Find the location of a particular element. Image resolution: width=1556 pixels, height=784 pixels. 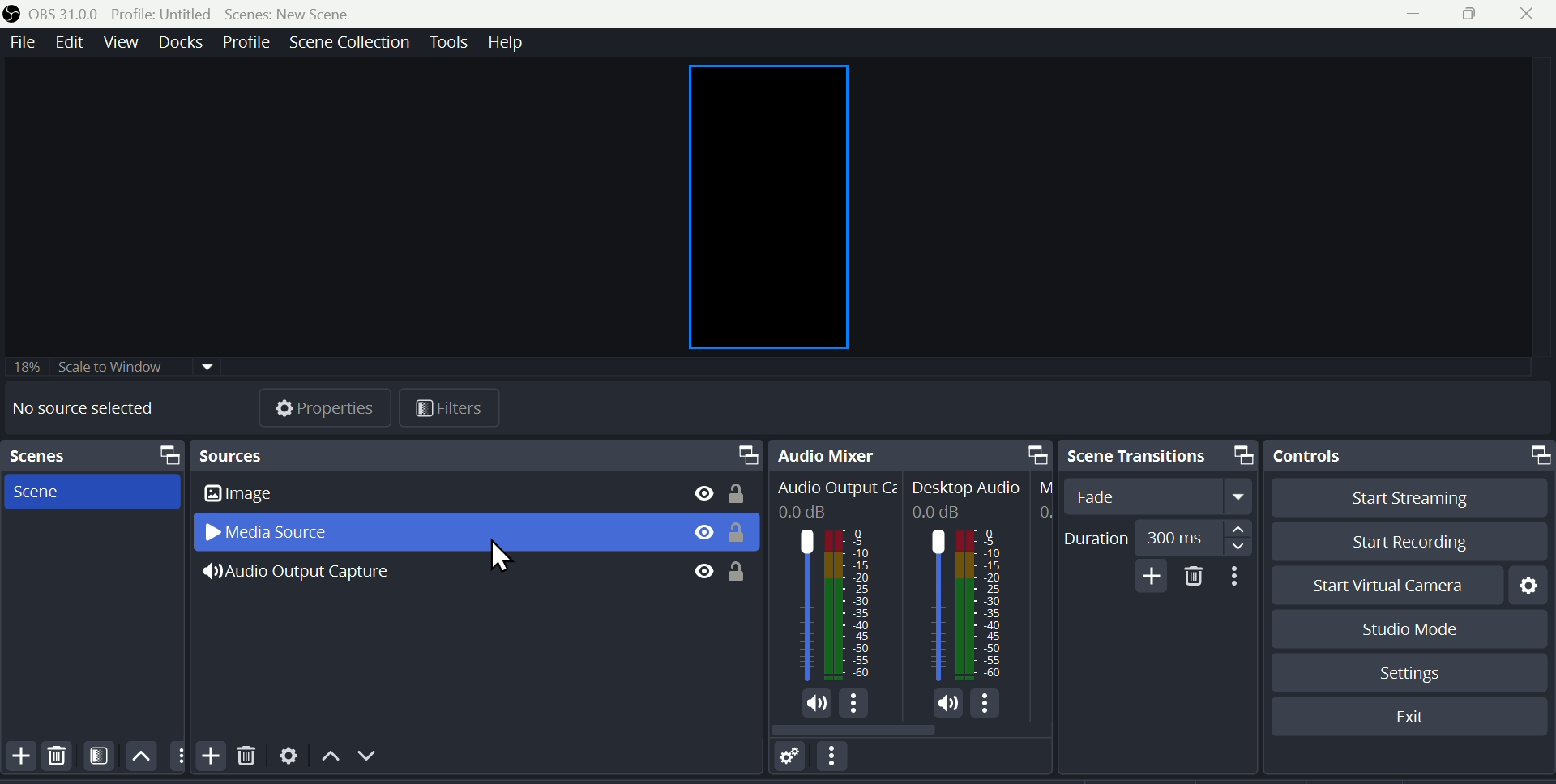

Help is located at coordinates (513, 41).